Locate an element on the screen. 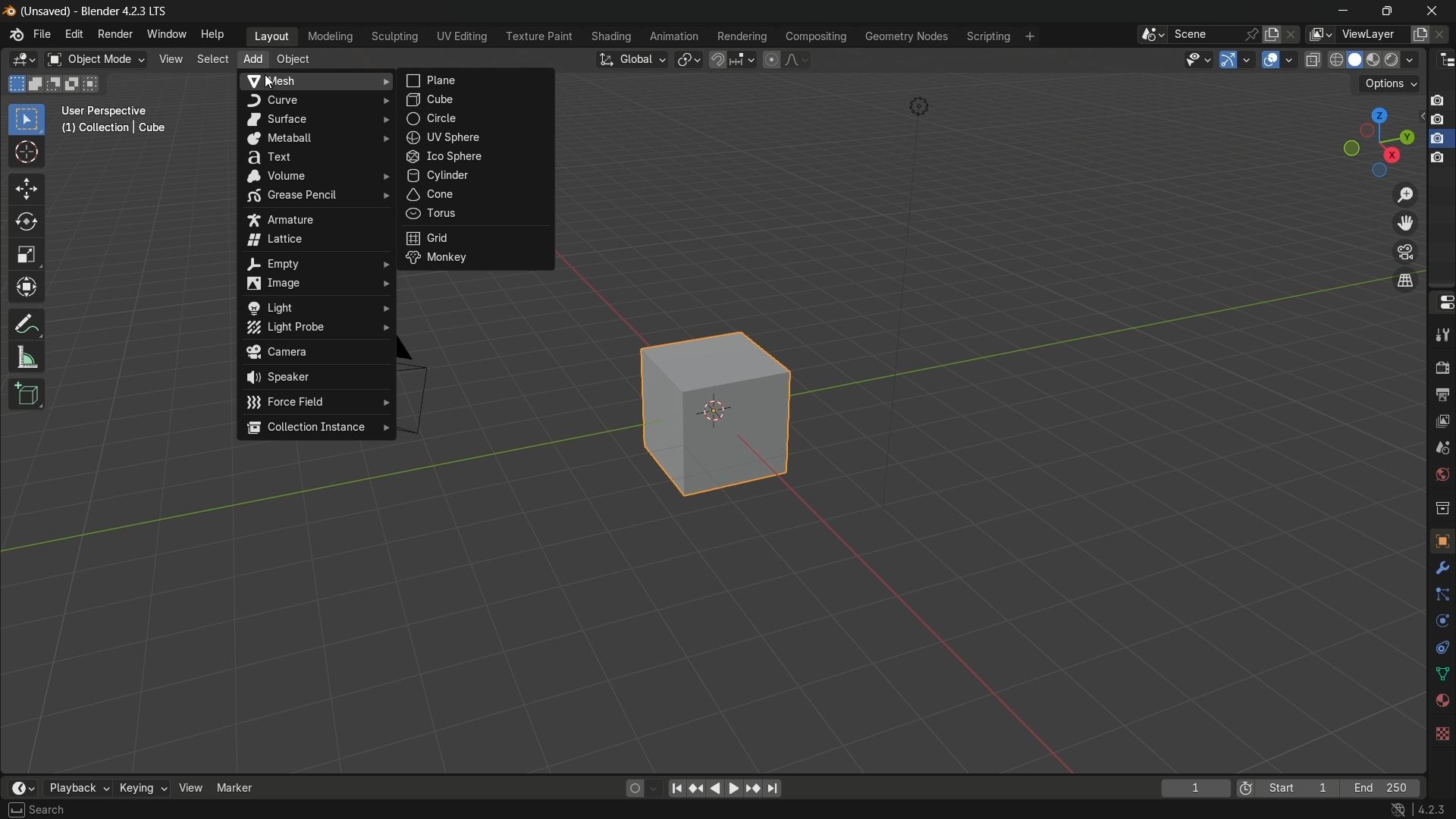 The width and height of the screenshot is (1456, 819). transformation is located at coordinates (28, 289).